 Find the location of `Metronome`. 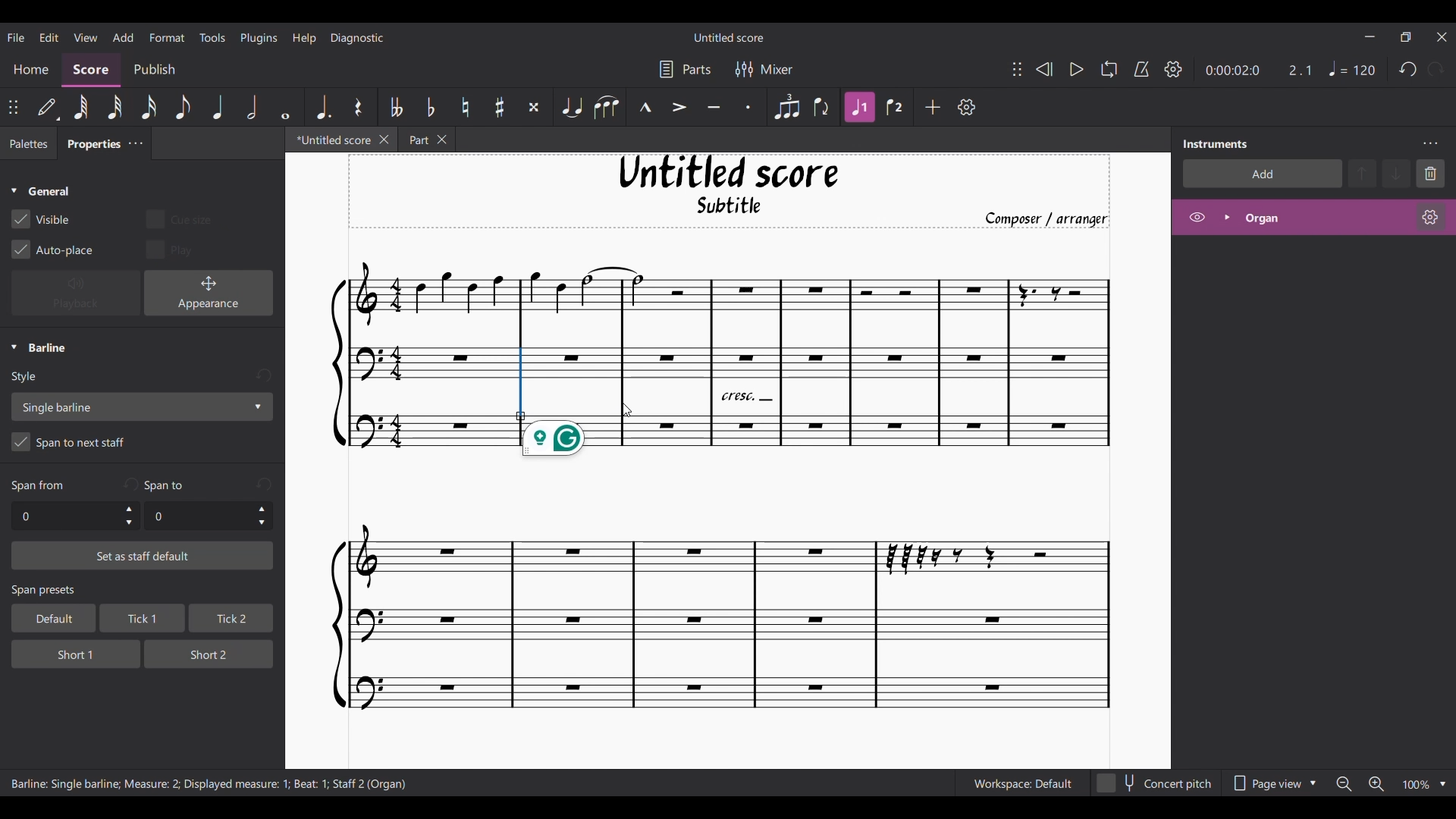

Metronome is located at coordinates (1141, 69).